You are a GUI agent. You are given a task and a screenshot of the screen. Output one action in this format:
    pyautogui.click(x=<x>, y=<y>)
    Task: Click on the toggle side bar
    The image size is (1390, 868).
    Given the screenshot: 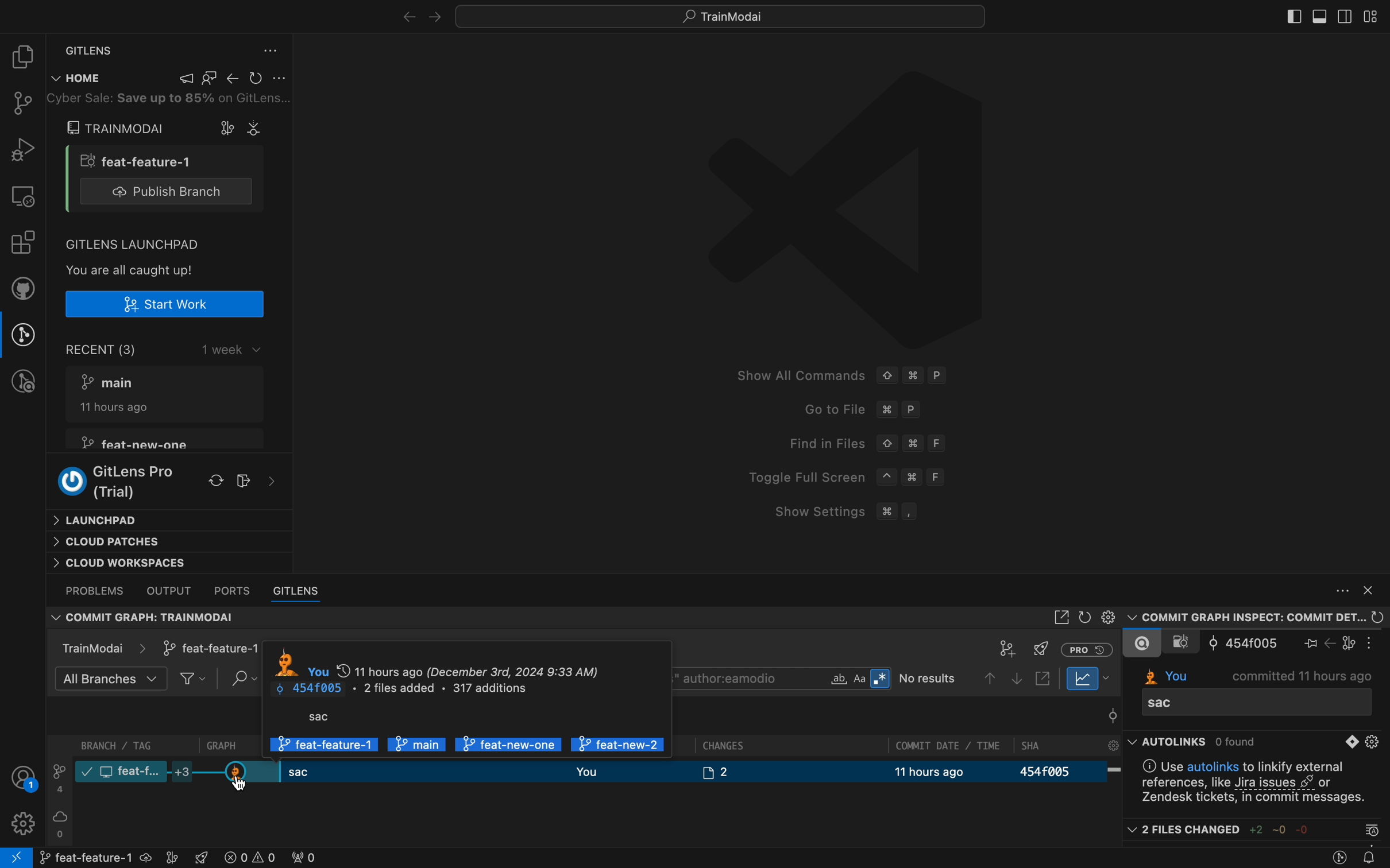 What is the action you would take?
    pyautogui.click(x=1289, y=18)
    